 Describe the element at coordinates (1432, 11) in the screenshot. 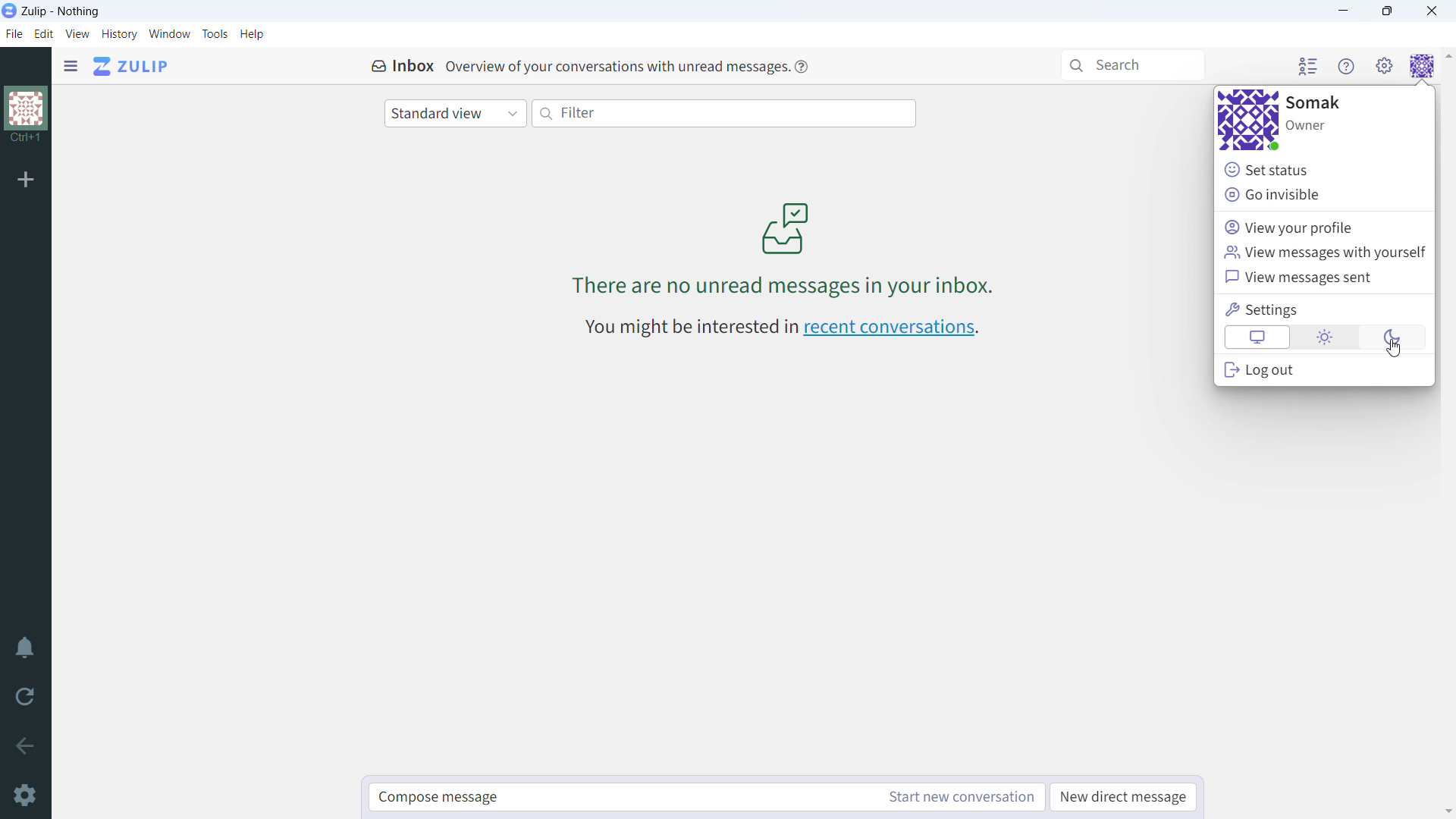

I see `close` at that location.